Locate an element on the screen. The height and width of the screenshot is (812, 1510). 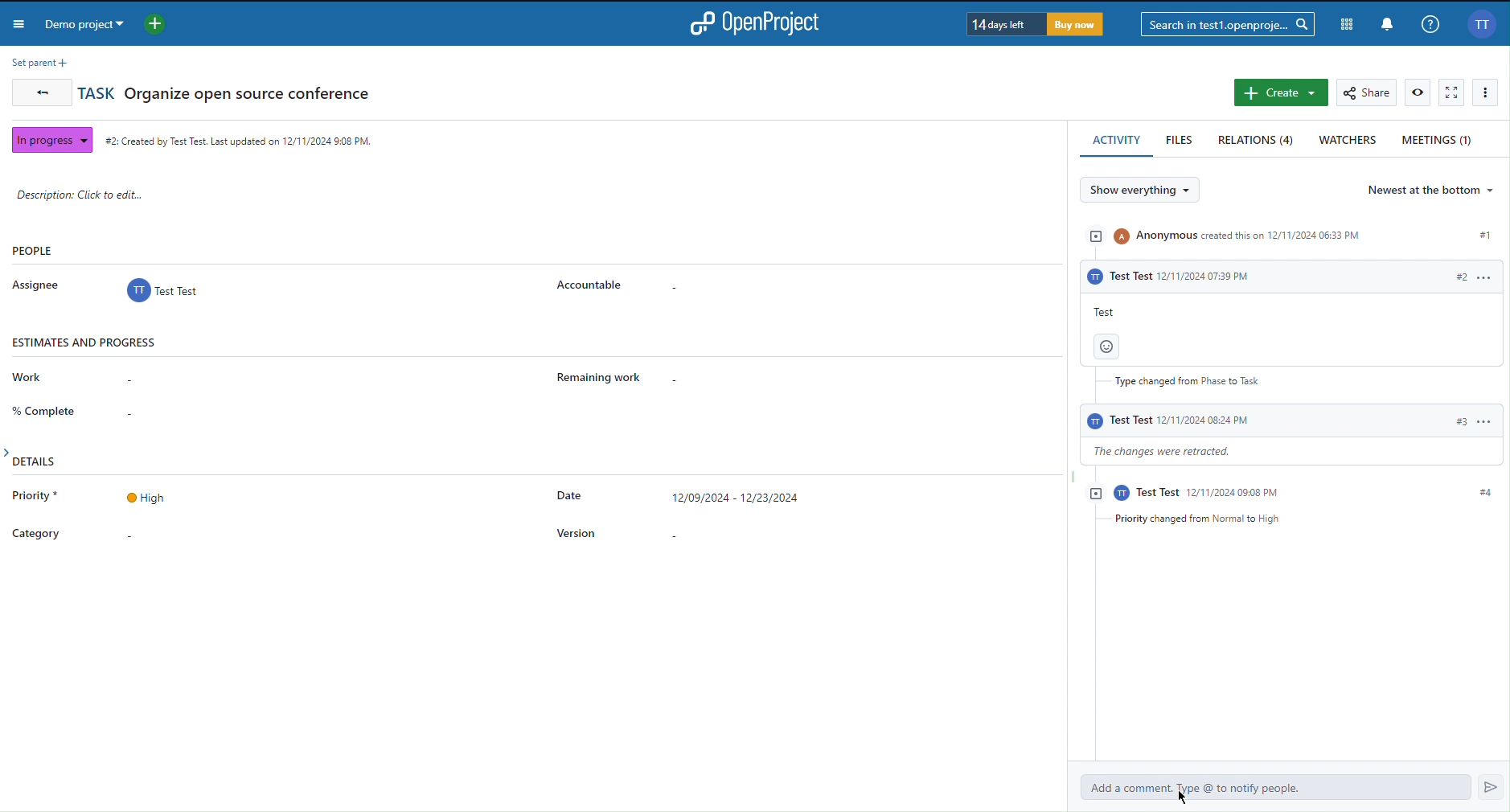
Menu is located at coordinates (21, 26).